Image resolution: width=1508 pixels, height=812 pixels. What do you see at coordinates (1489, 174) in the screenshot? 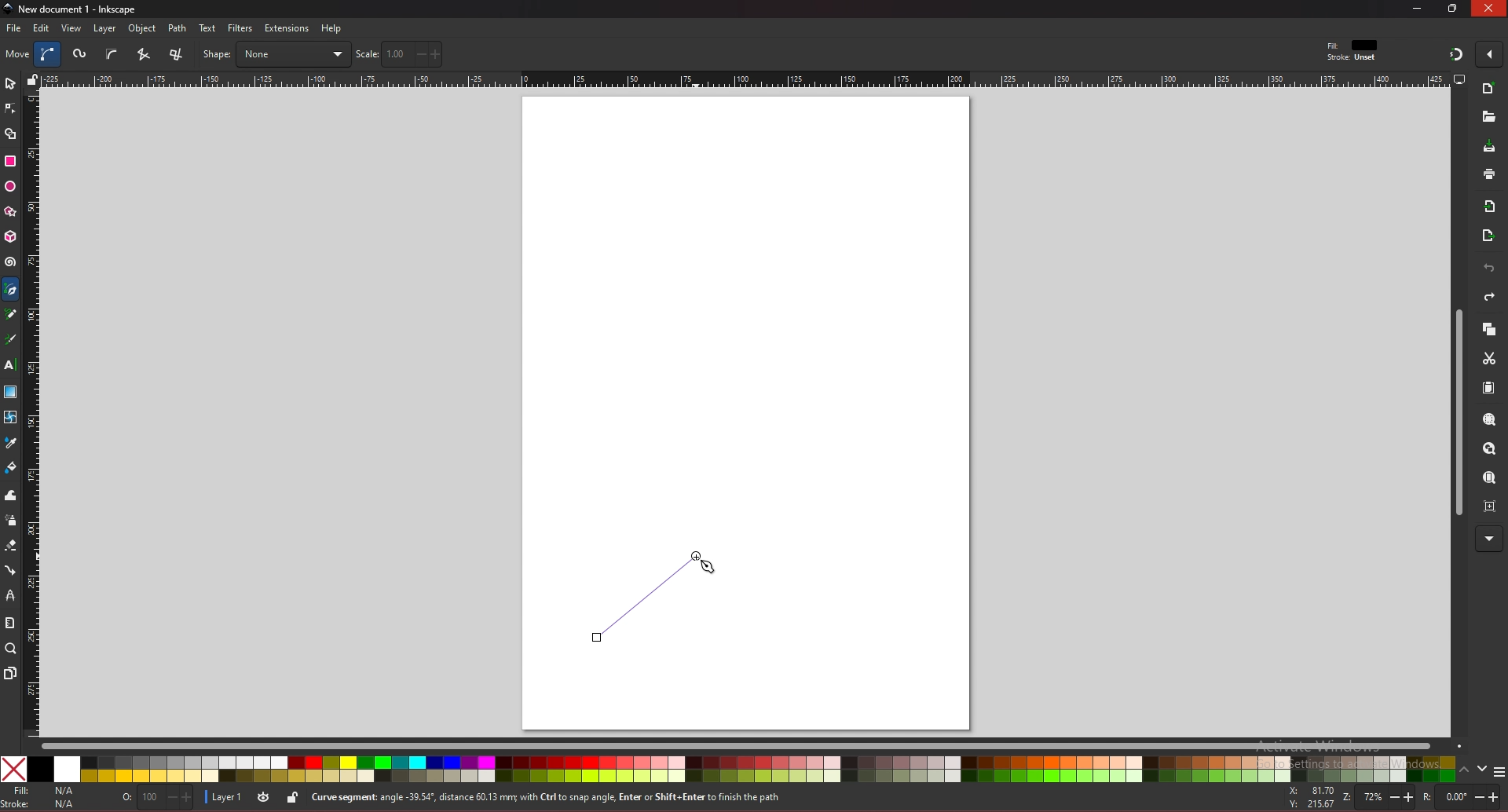
I see `print` at bounding box center [1489, 174].